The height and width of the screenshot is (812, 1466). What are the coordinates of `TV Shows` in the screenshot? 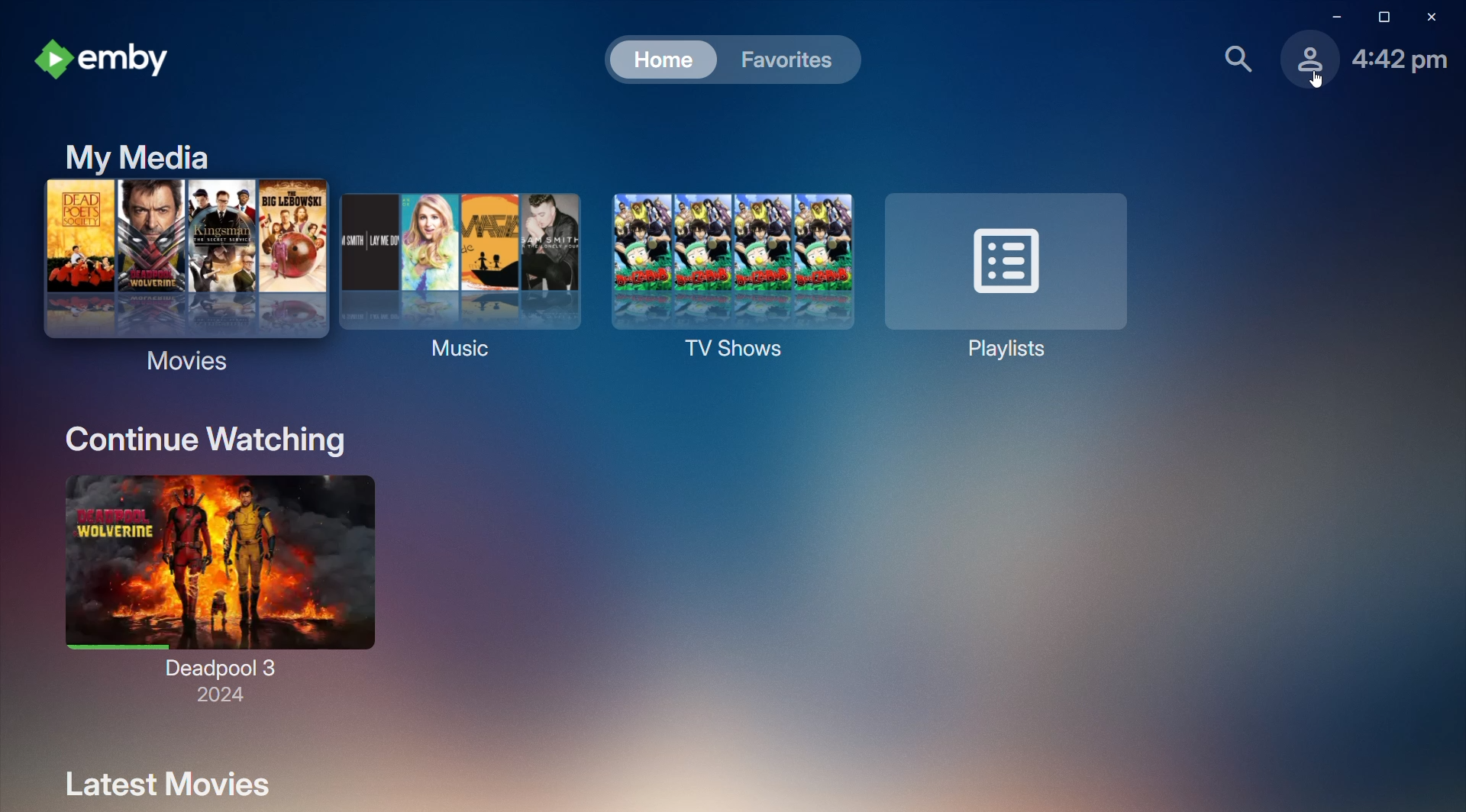 It's located at (730, 273).